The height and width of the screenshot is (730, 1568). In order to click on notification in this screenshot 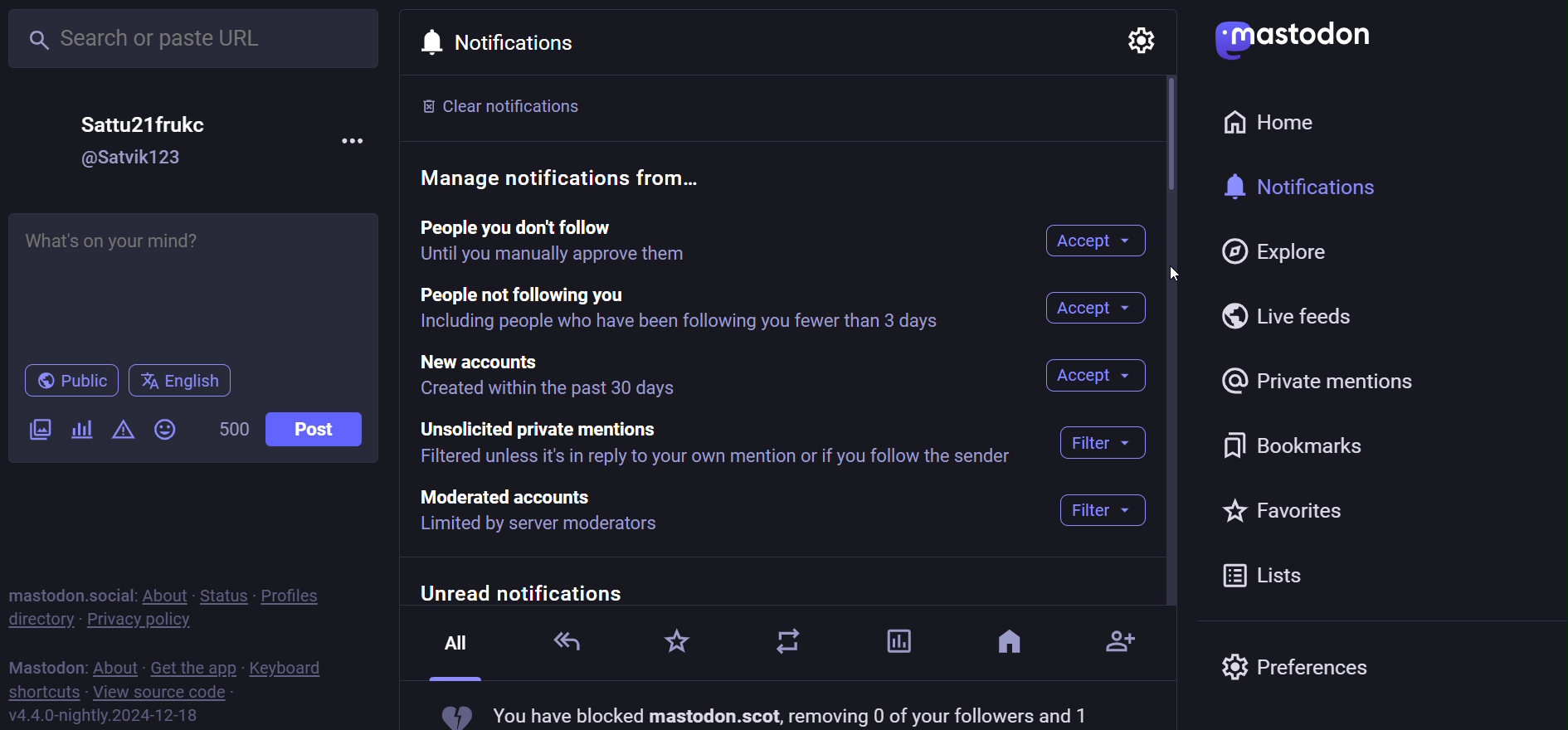, I will do `click(514, 46)`.